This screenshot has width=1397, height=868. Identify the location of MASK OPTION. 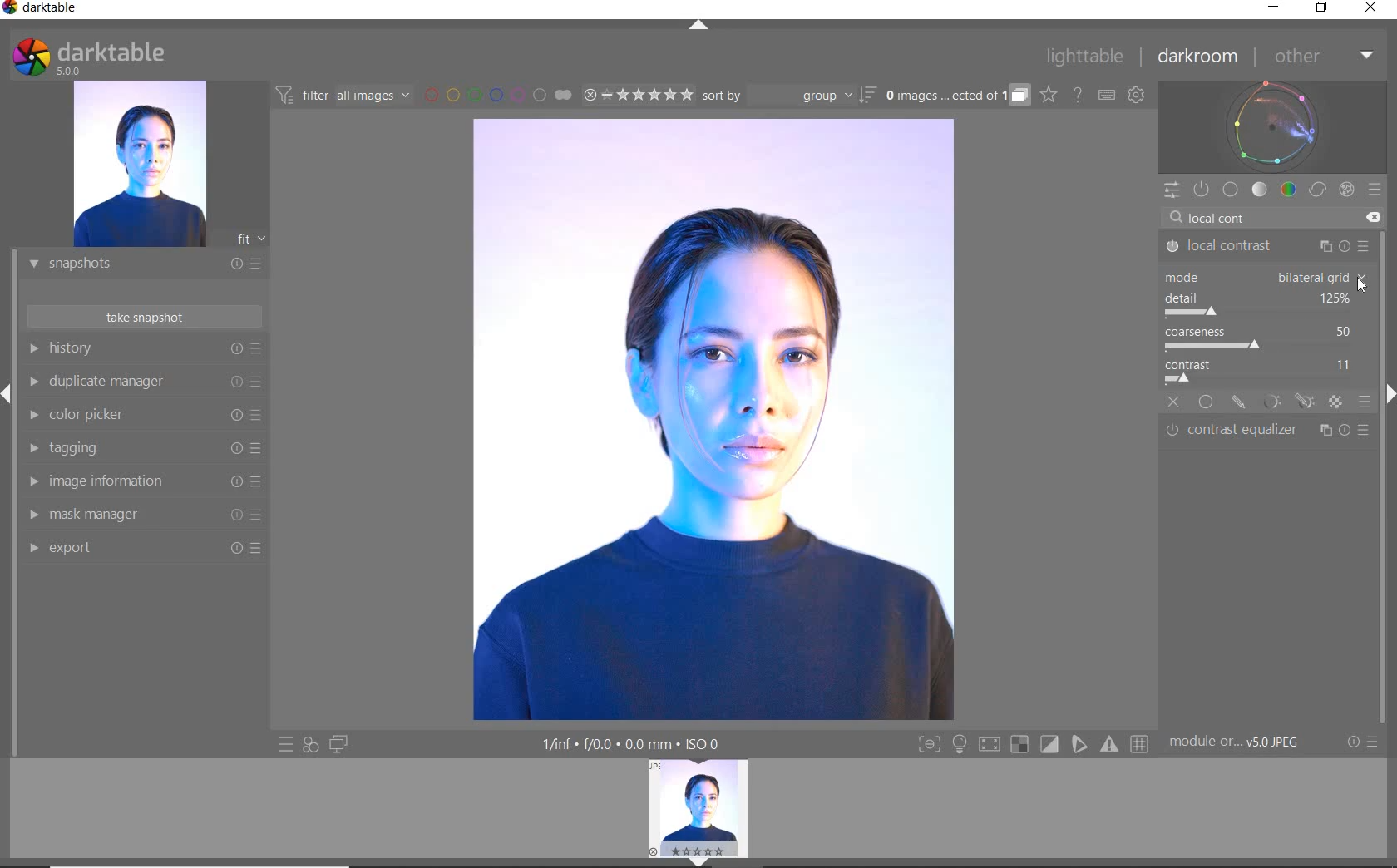
(1238, 403).